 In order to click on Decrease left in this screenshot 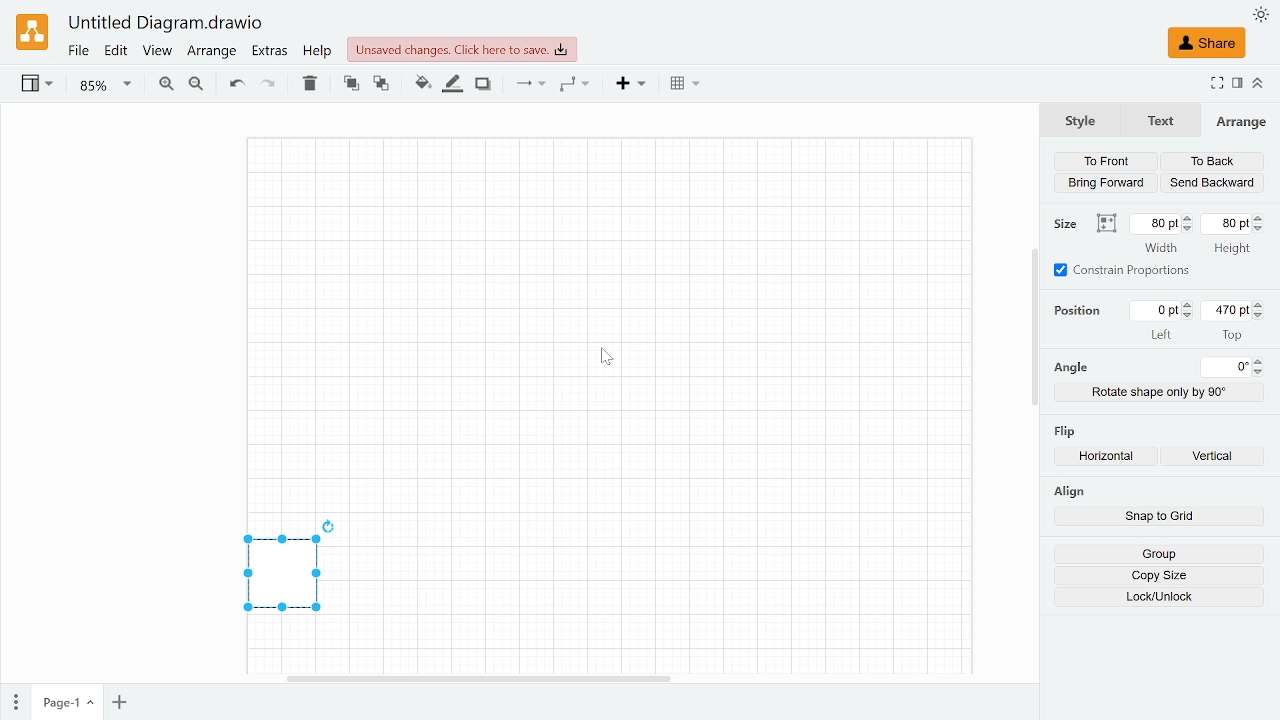, I will do `click(1190, 316)`.